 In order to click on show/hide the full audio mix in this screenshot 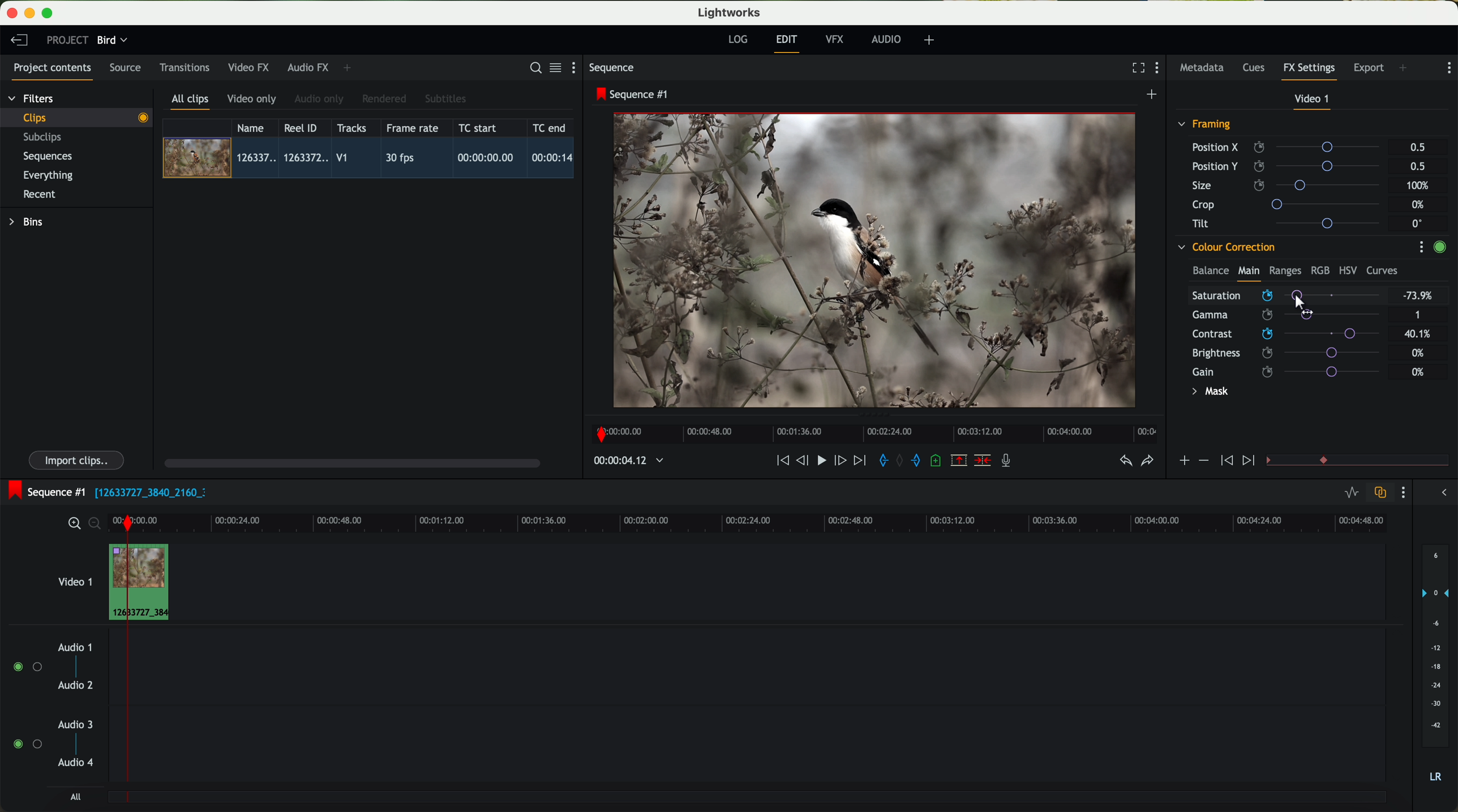, I will do `click(1440, 493)`.